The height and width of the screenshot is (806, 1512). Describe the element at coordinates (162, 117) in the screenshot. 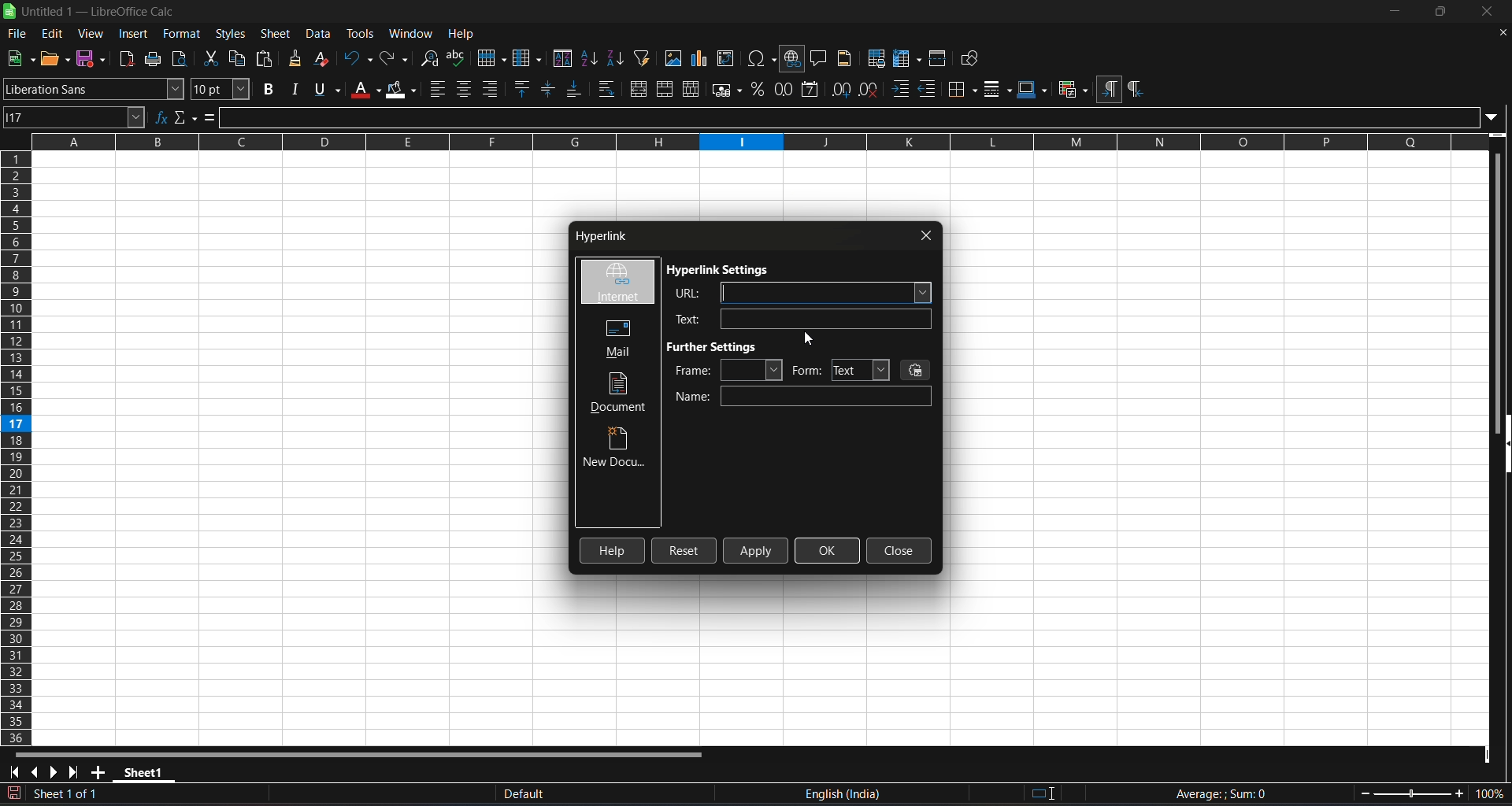

I see `function wizard` at that location.